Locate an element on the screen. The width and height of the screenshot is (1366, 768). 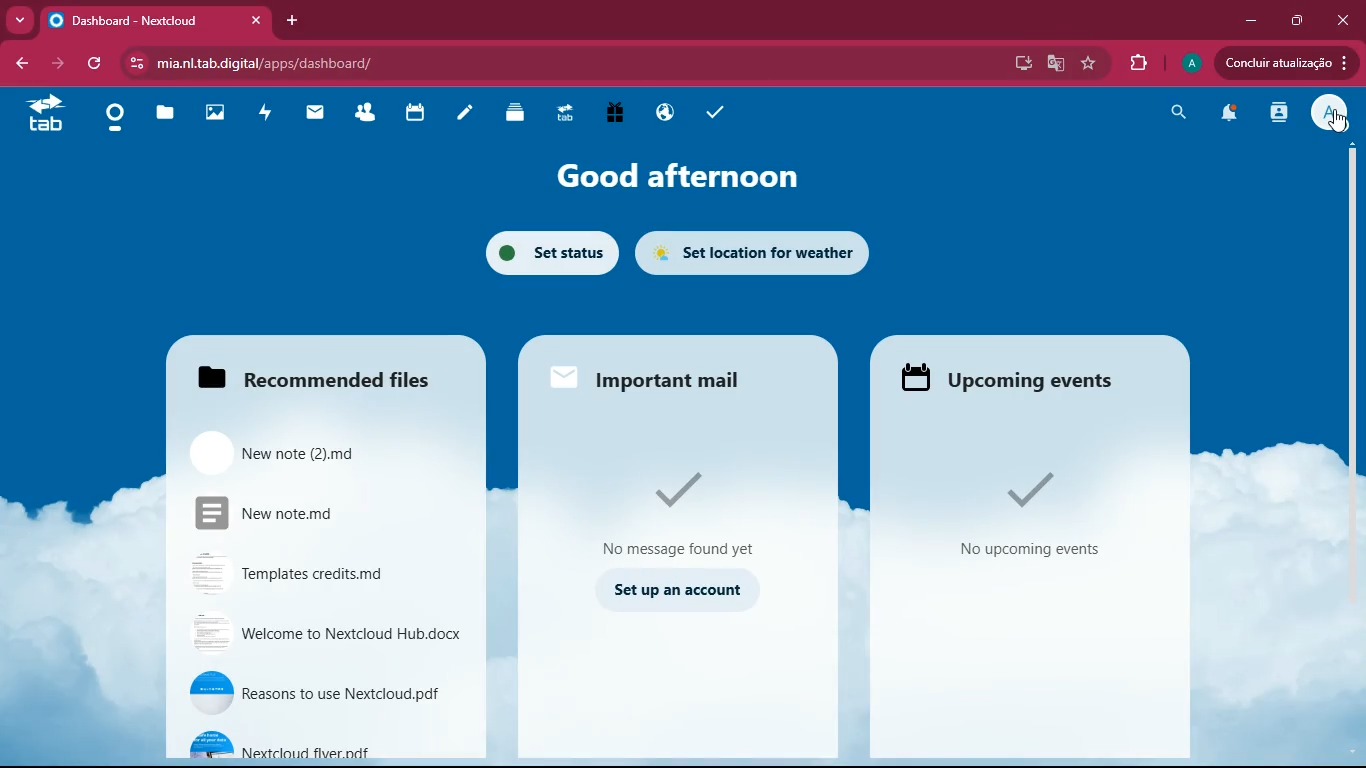
maximize is located at coordinates (1299, 20).